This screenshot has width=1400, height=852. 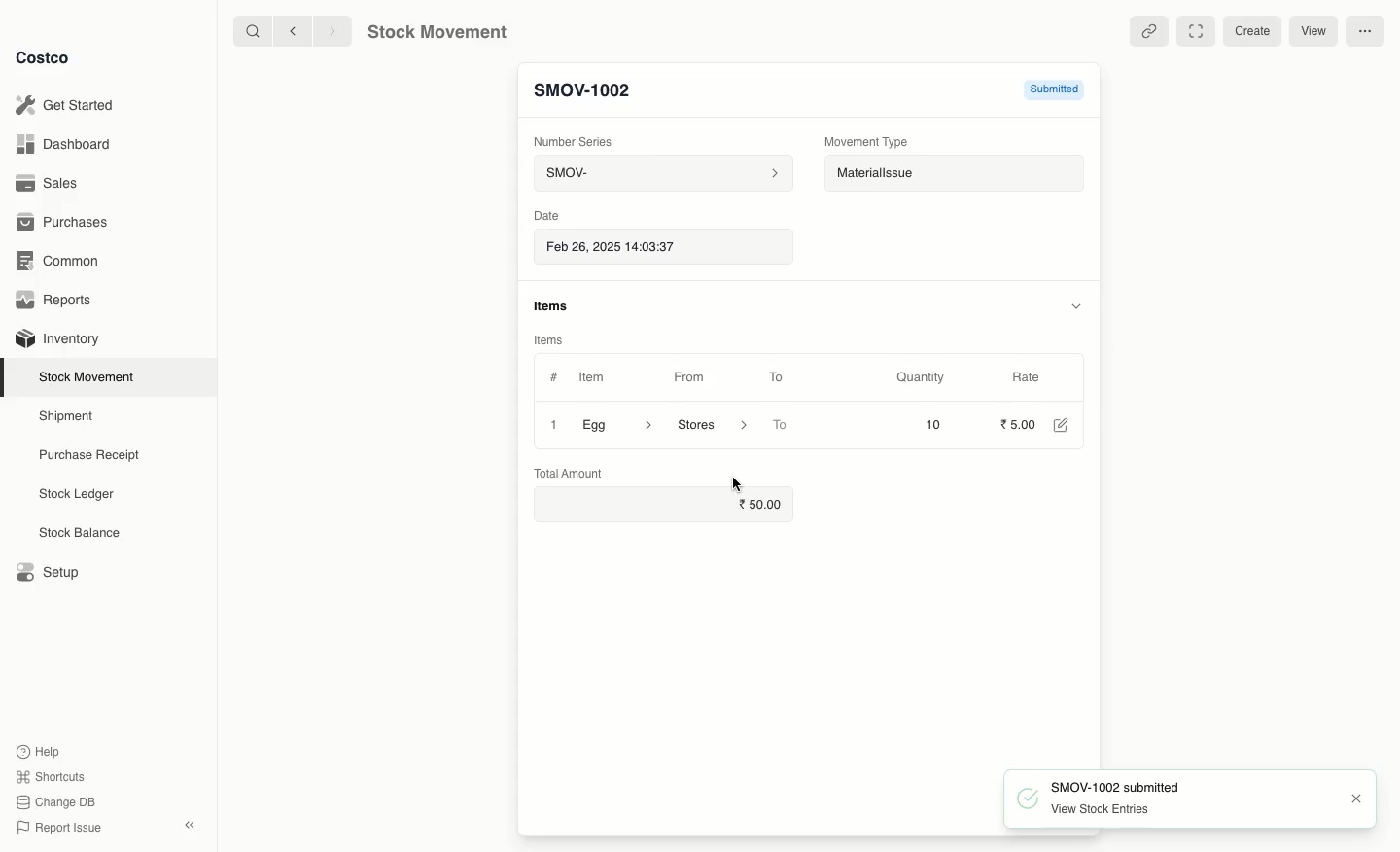 What do you see at coordinates (1079, 304) in the screenshot?
I see `hide` at bounding box center [1079, 304].